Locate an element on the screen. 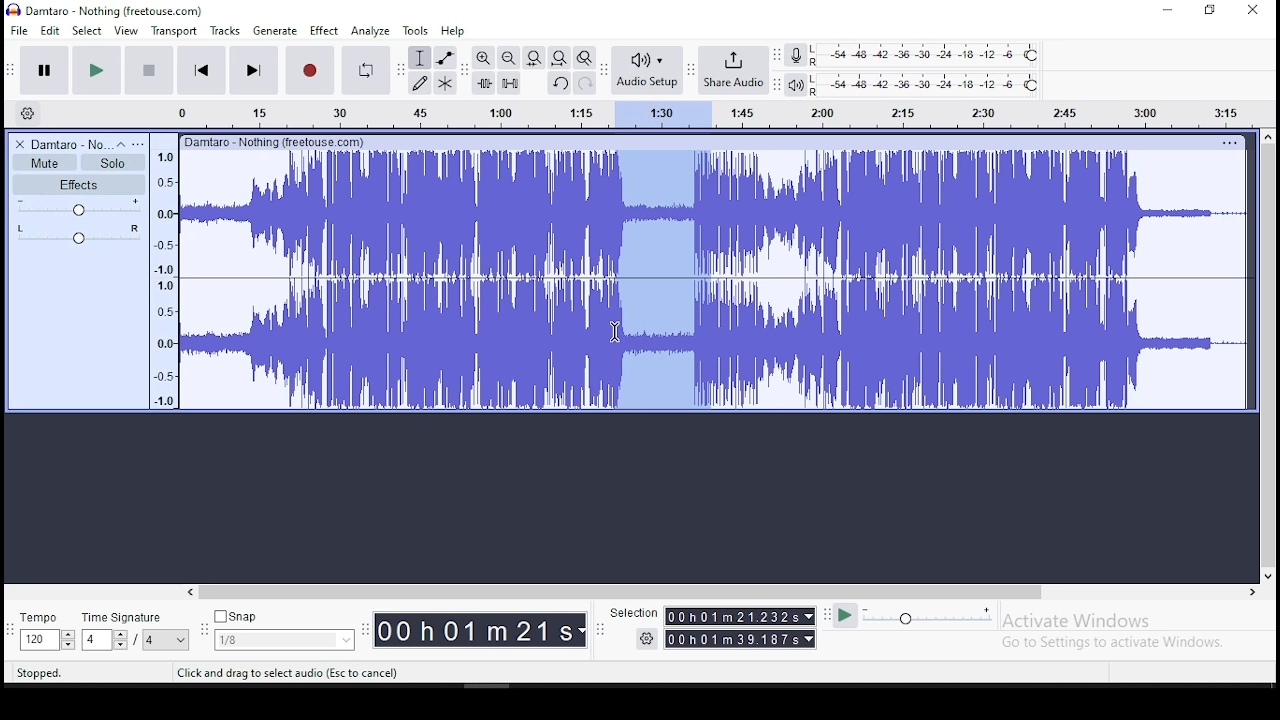 The image size is (1280, 720). Damtaro No is located at coordinates (70, 144).